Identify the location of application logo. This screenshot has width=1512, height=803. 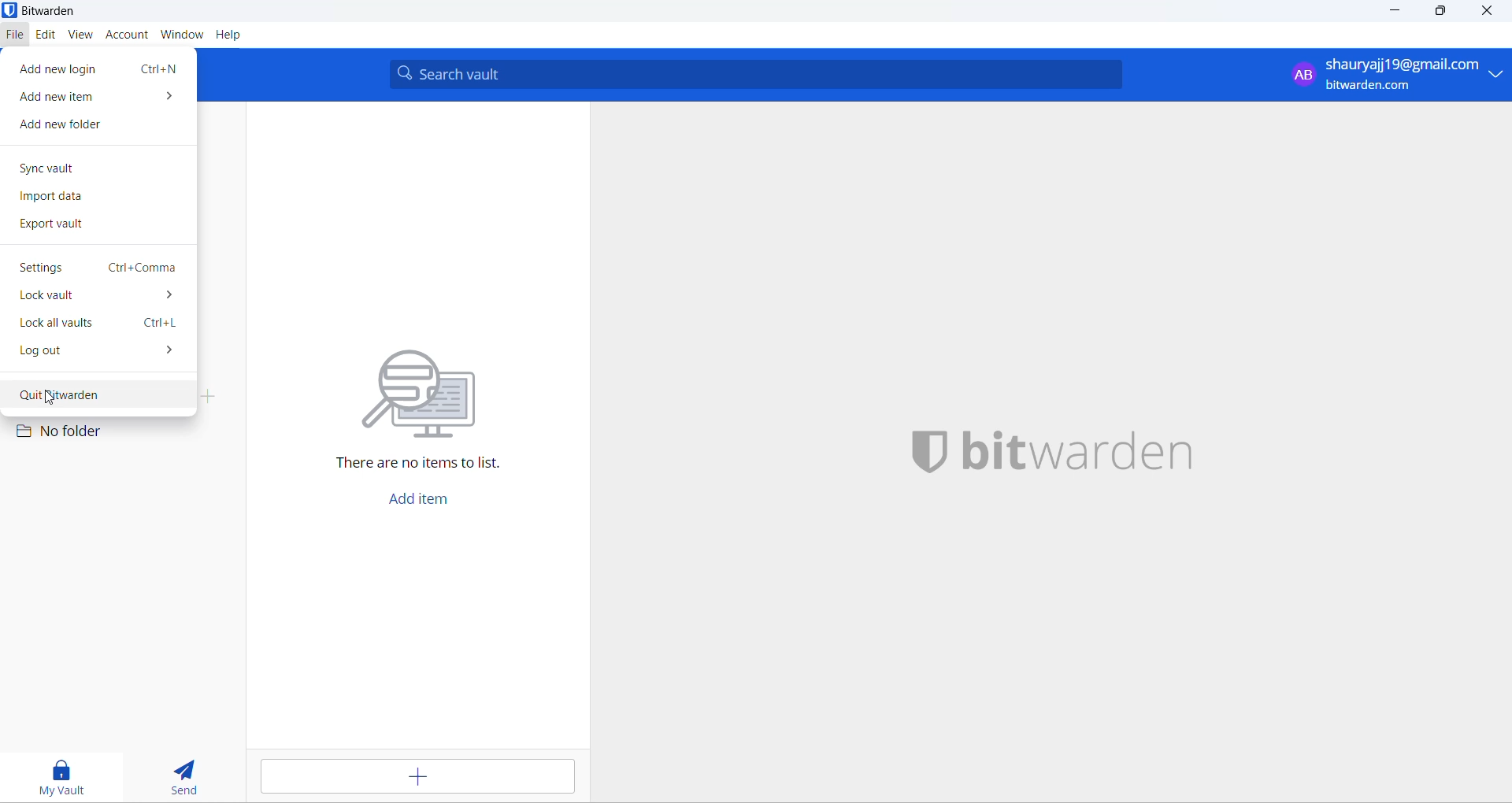
(10, 11).